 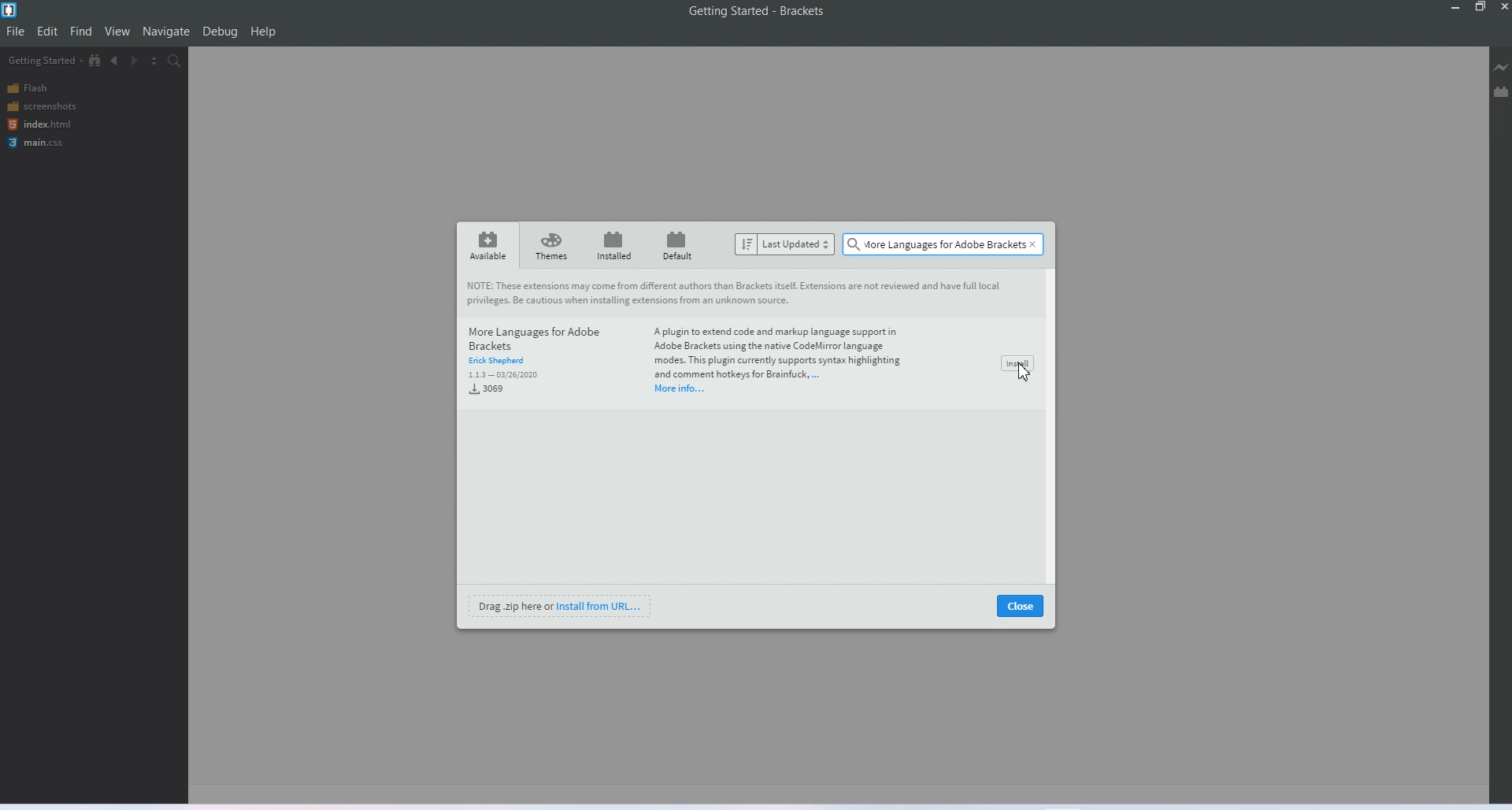 What do you see at coordinates (55, 144) in the screenshot?
I see `Main css` at bounding box center [55, 144].